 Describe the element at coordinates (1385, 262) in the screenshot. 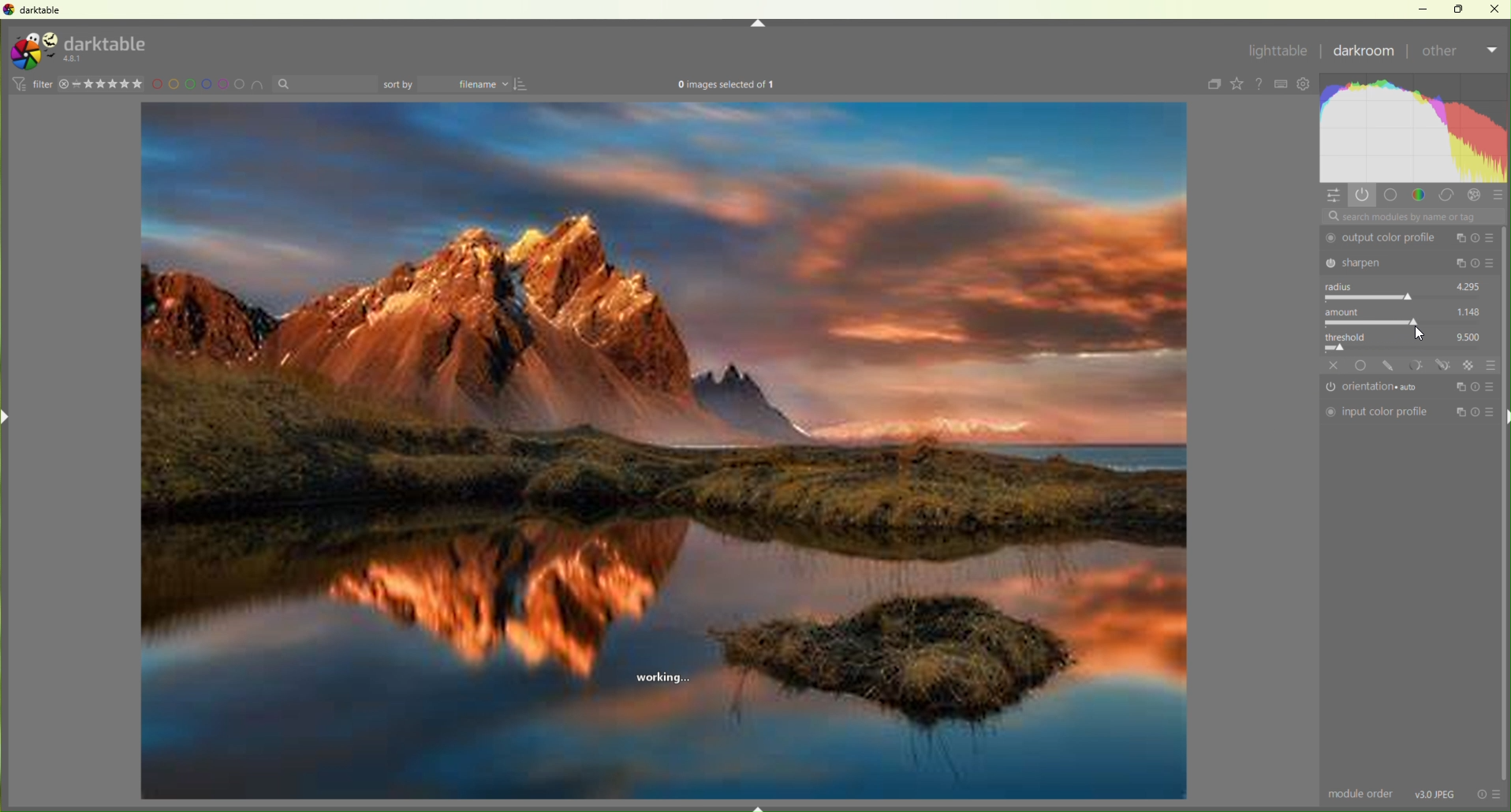

I see `Sharpen` at that location.